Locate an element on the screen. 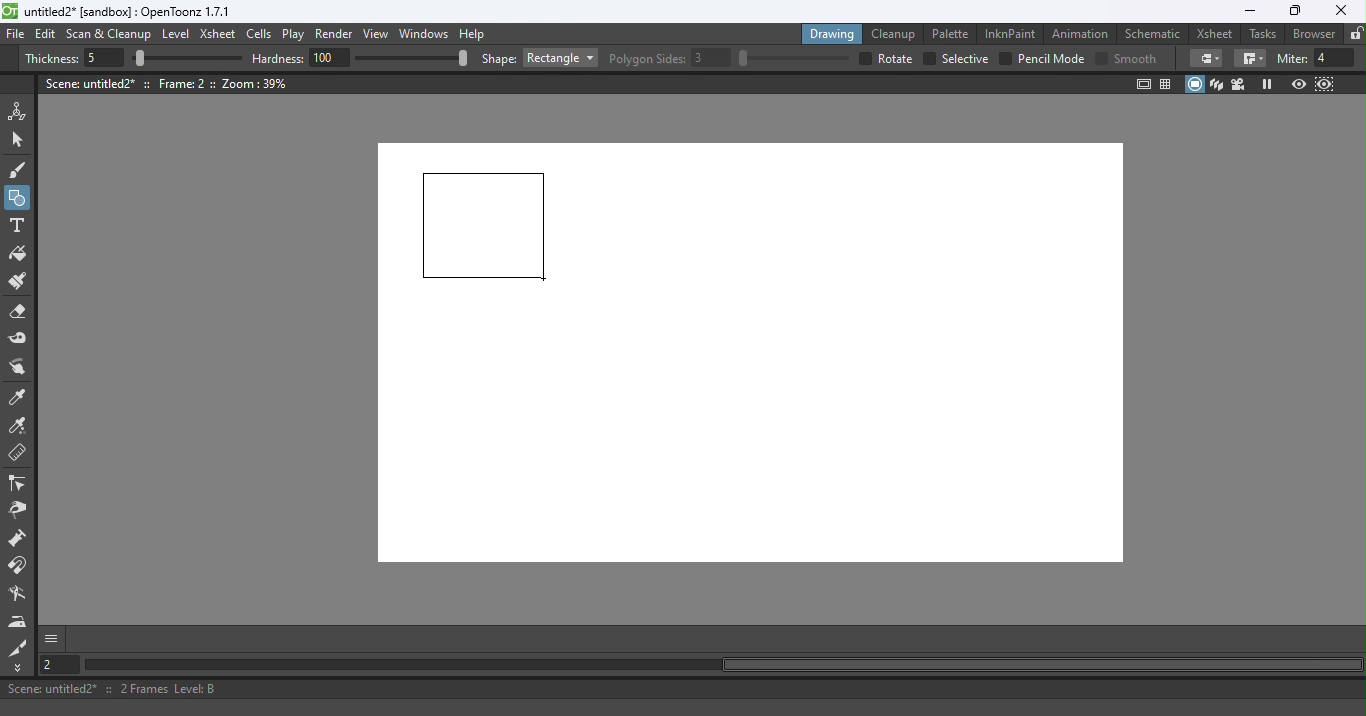 The image size is (1366, 716). More options is located at coordinates (51, 638).